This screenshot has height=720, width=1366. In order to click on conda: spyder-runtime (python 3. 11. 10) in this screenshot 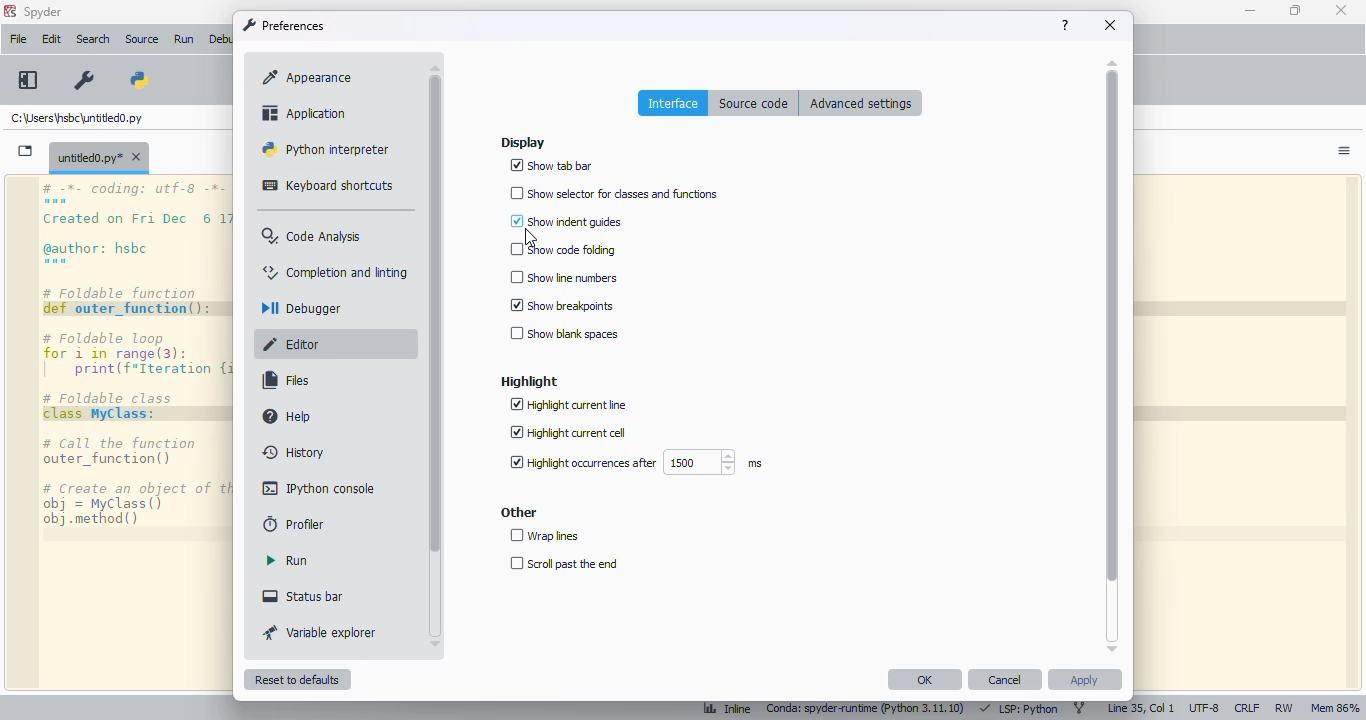, I will do `click(869, 710)`.